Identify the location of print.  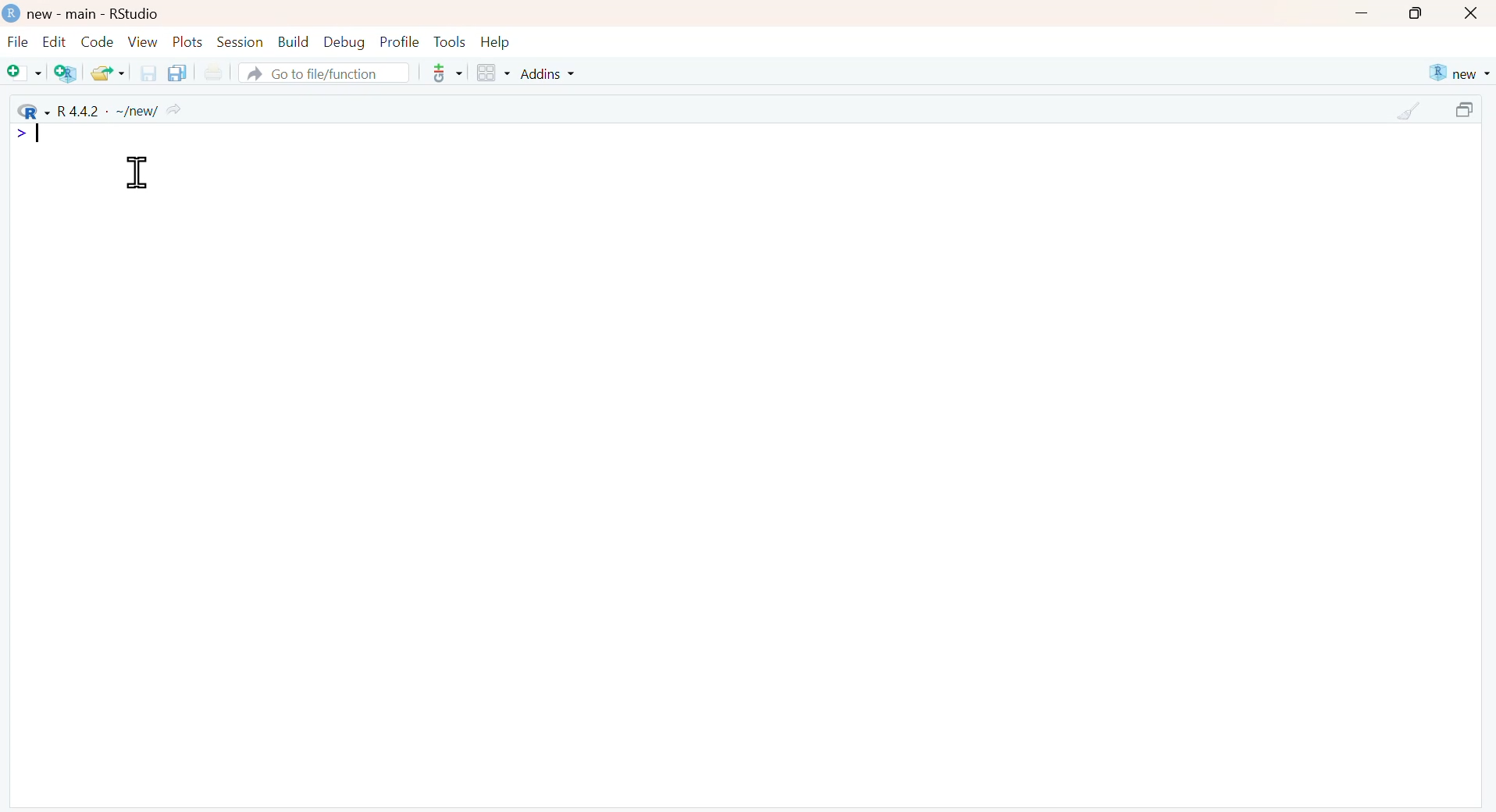
(212, 73).